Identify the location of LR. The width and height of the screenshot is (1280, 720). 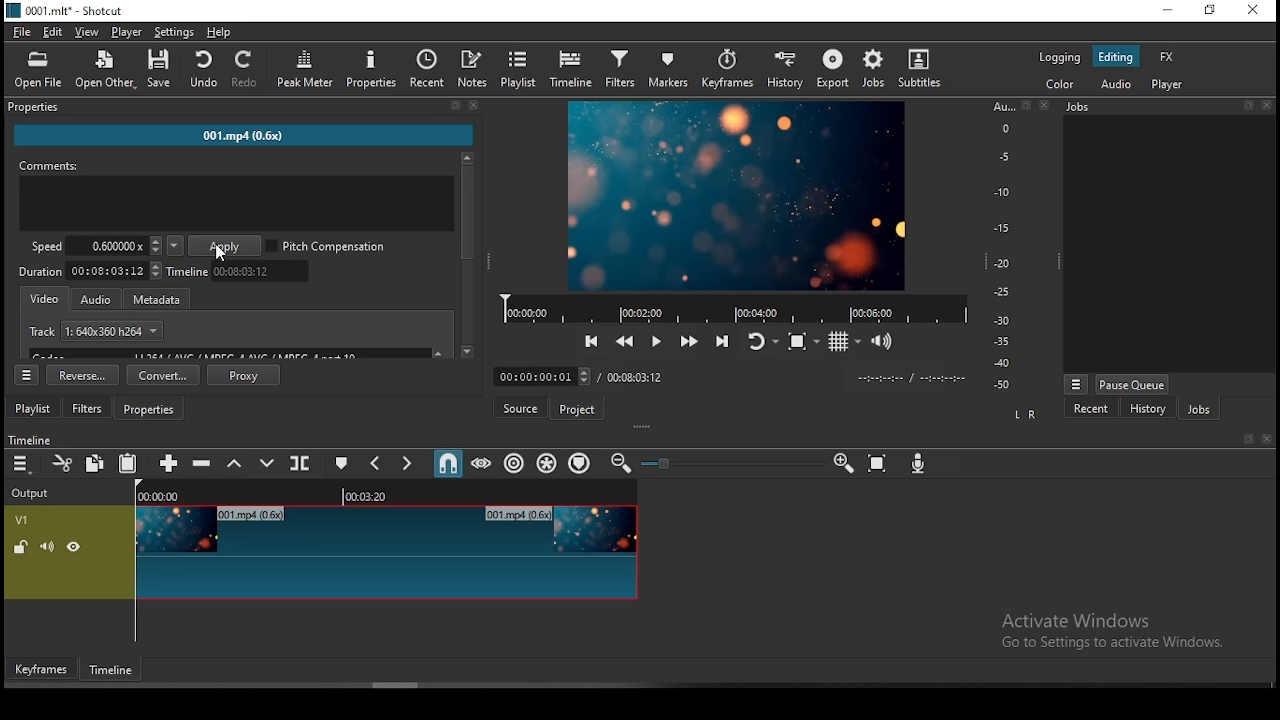
(1028, 411).